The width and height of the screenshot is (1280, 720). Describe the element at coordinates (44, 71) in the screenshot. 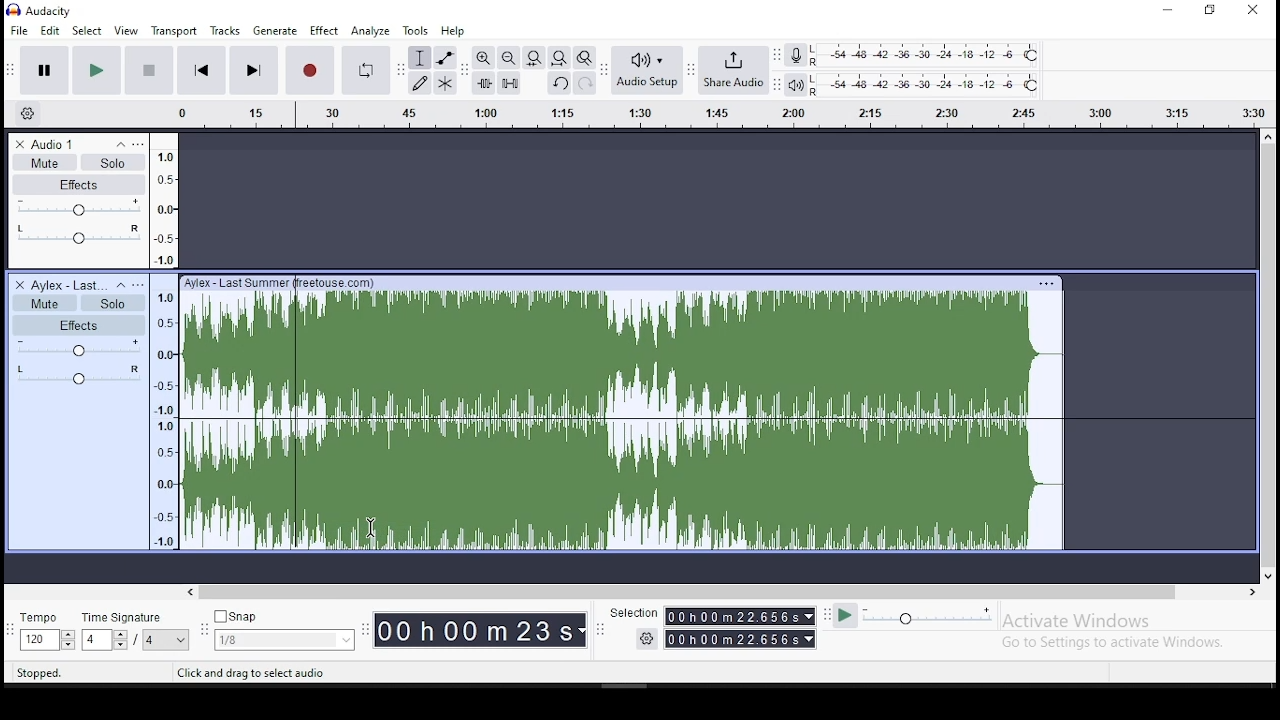

I see `pause` at that location.